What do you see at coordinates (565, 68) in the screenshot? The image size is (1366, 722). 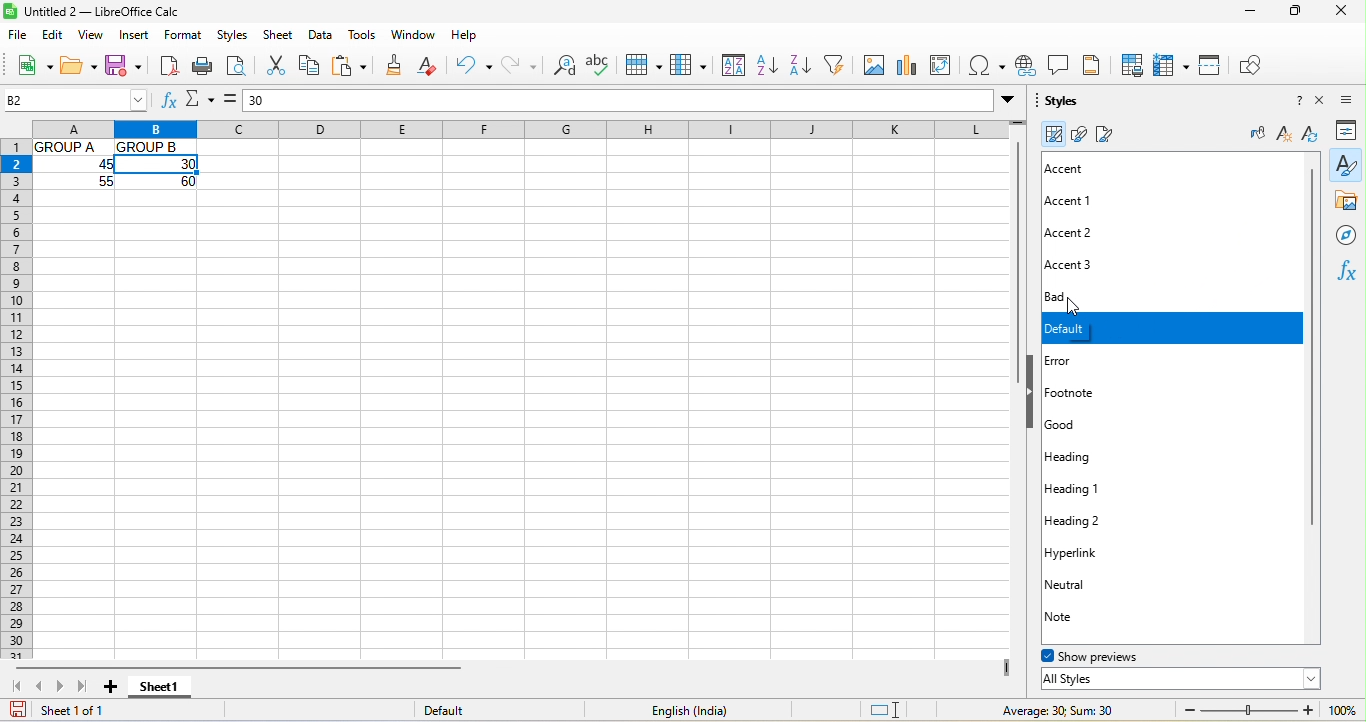 I see `find and replace` at bounding box center [565, 68].